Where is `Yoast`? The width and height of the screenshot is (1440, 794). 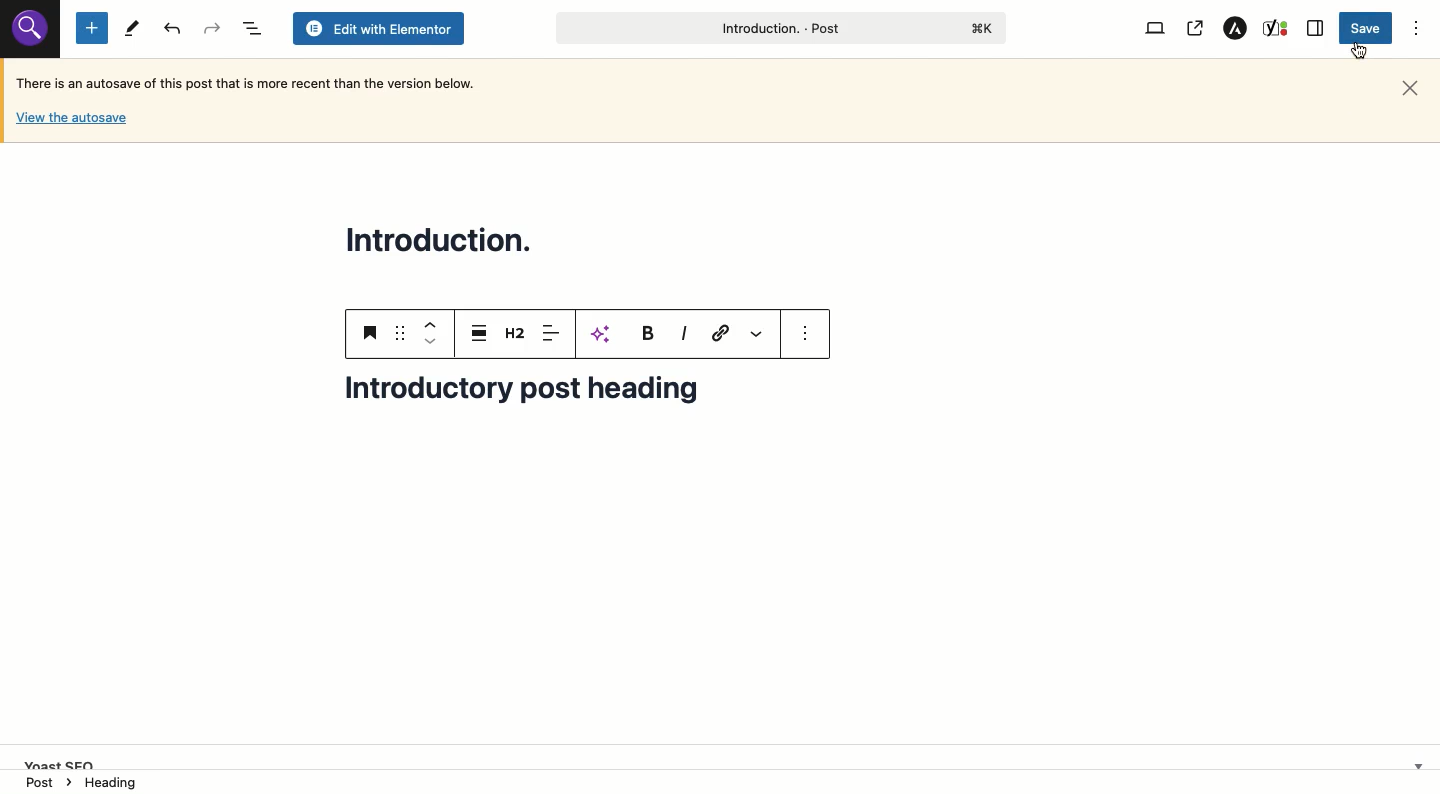 Yoast is located at coordinates (1277, 29).